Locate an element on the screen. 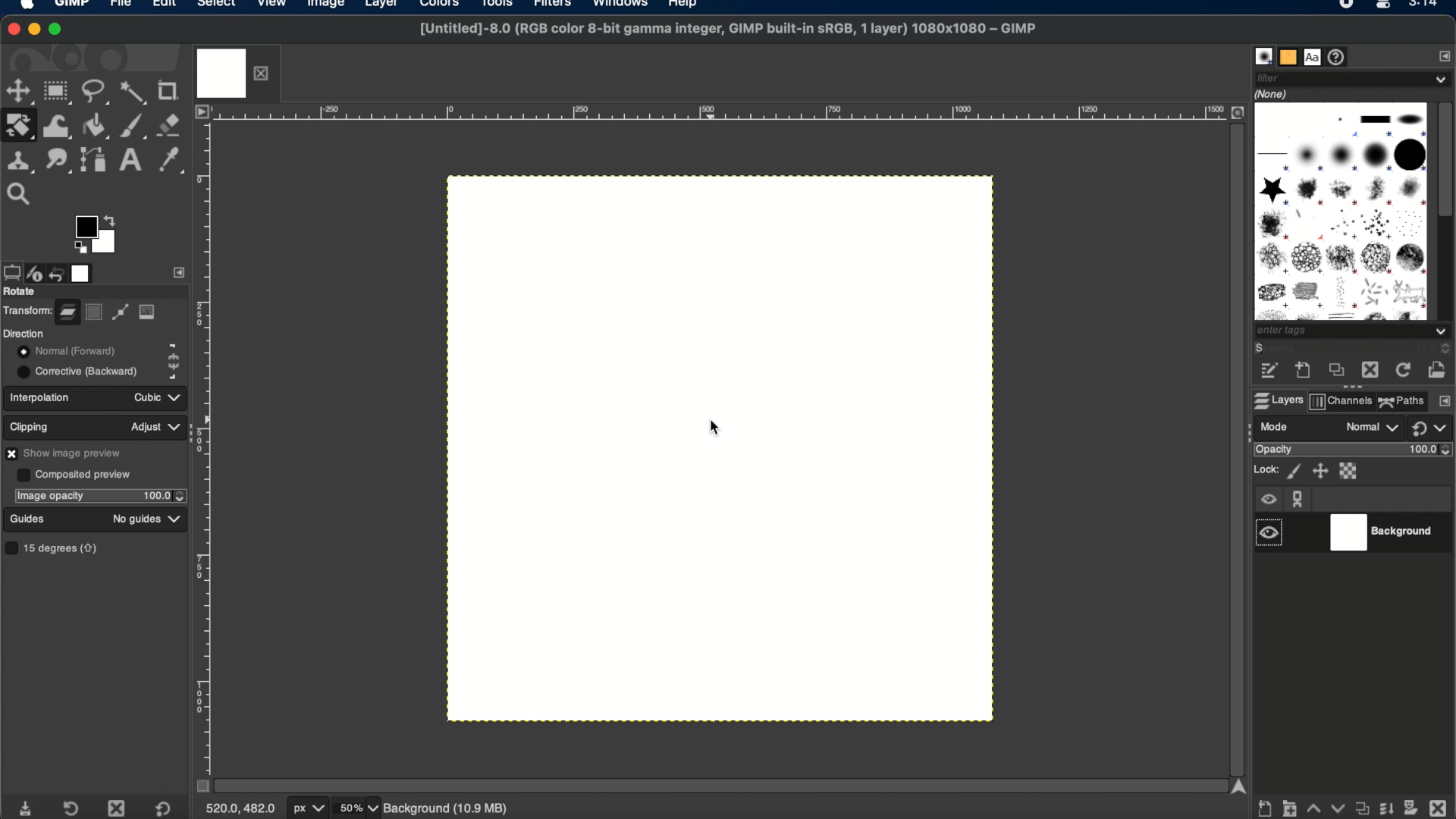 Image resolution: width=1456 pixels, height=819 pixels. interpolation is located at coordinates (43, 397).